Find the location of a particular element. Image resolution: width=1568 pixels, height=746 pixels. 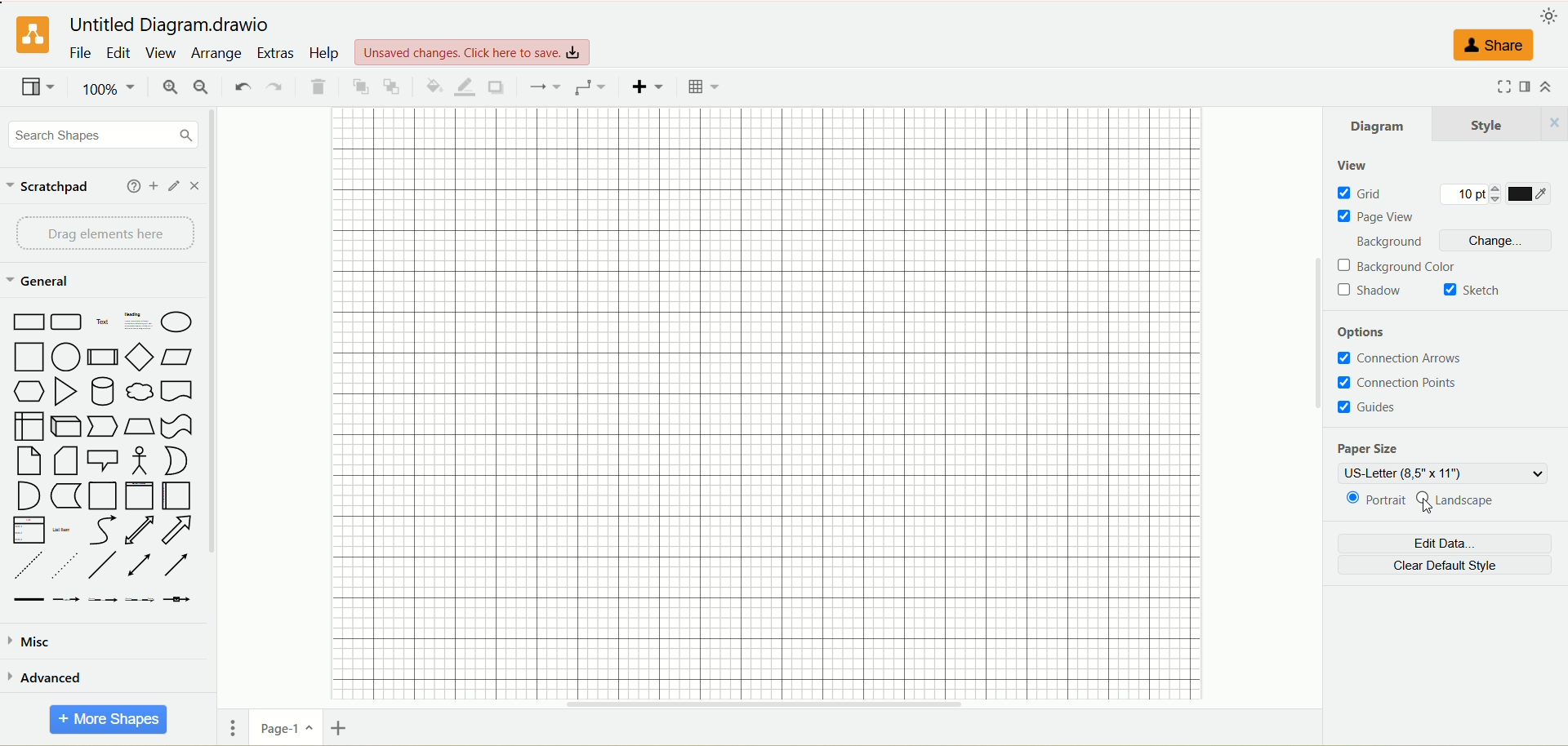

connection points is located at coordinates (1428, 383).